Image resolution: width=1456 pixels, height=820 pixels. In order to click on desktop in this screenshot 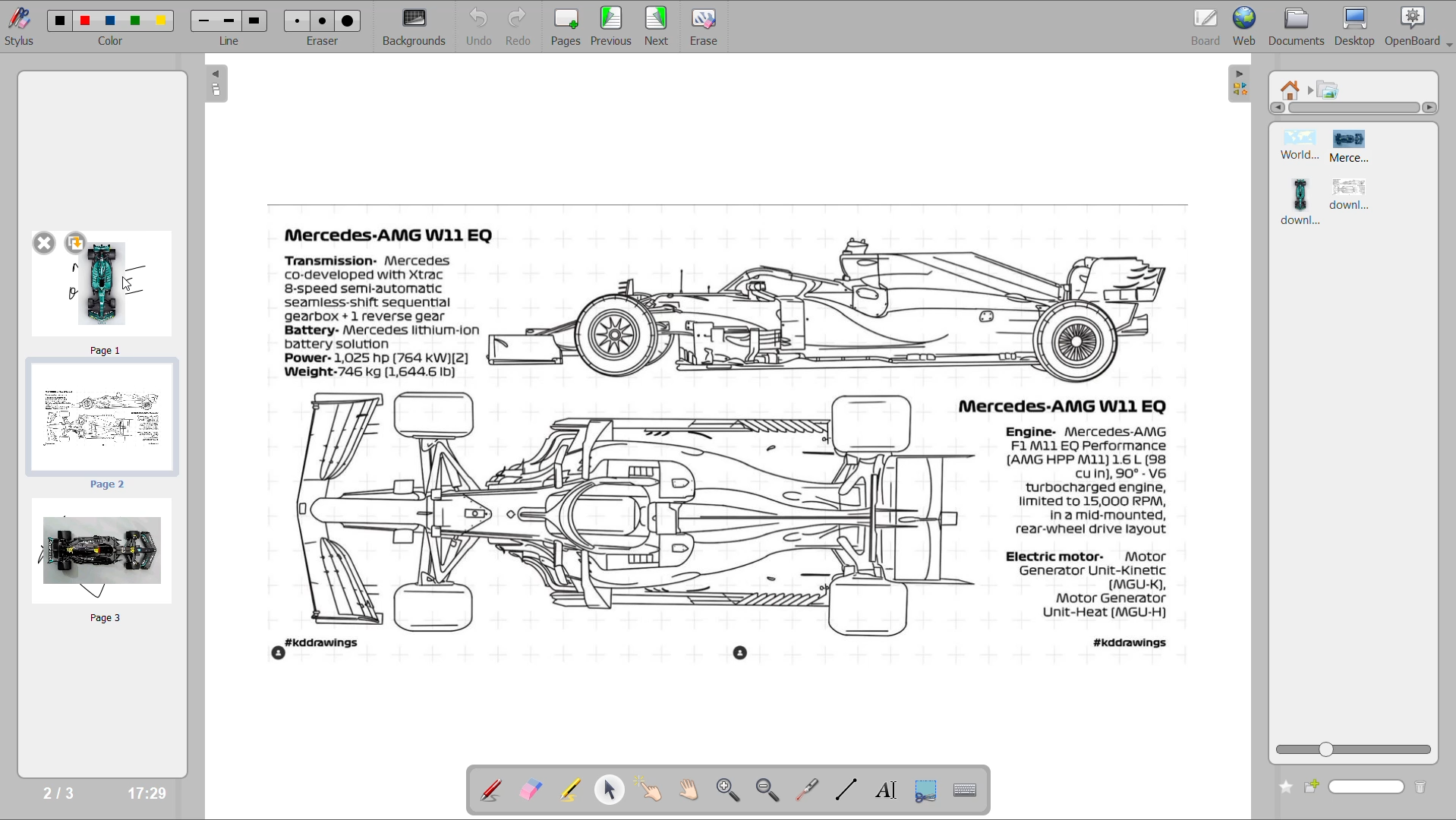, I will do `click(1357, 27)`.